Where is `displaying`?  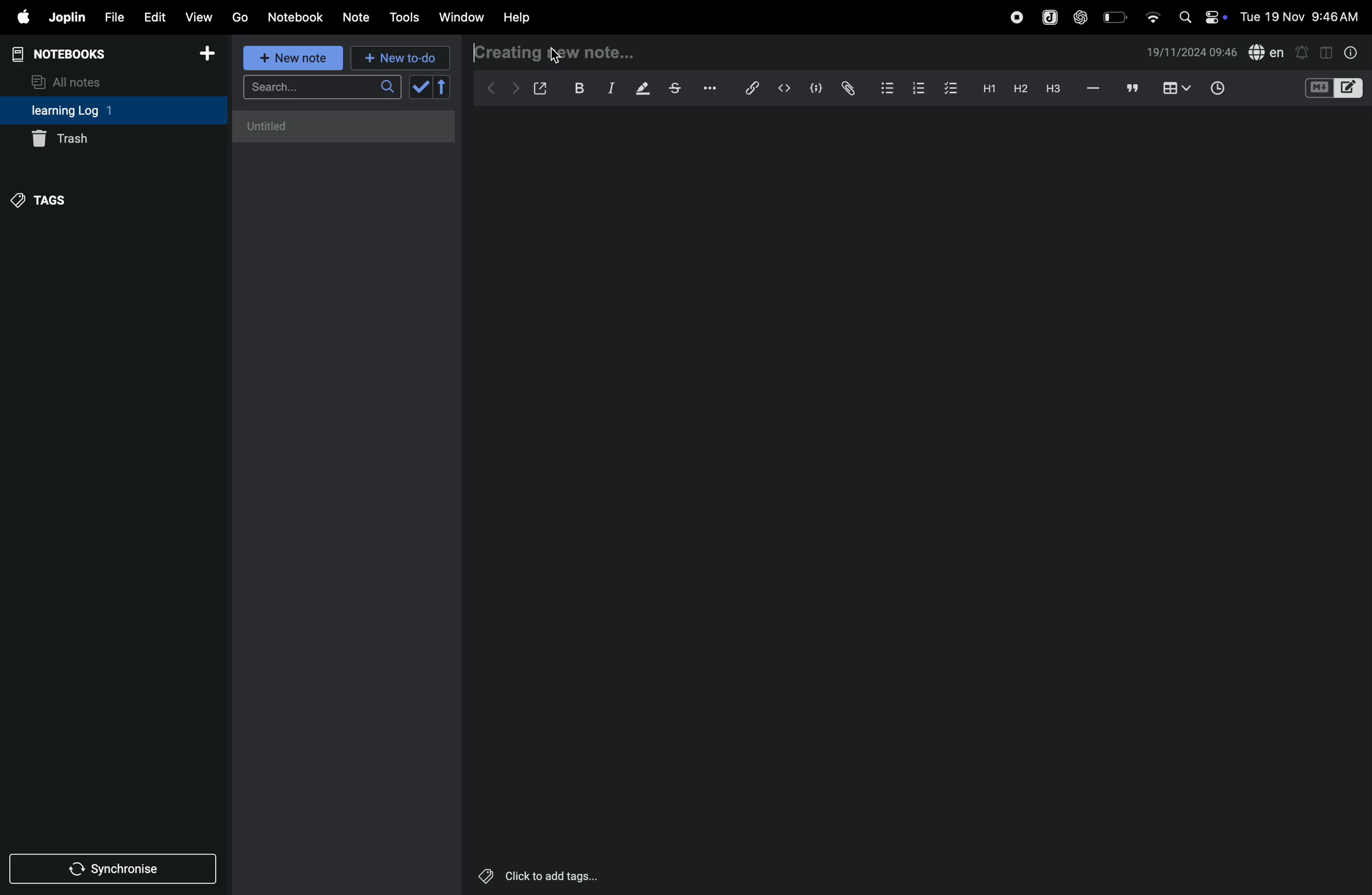
displaying is located at coordinates (643, 89).